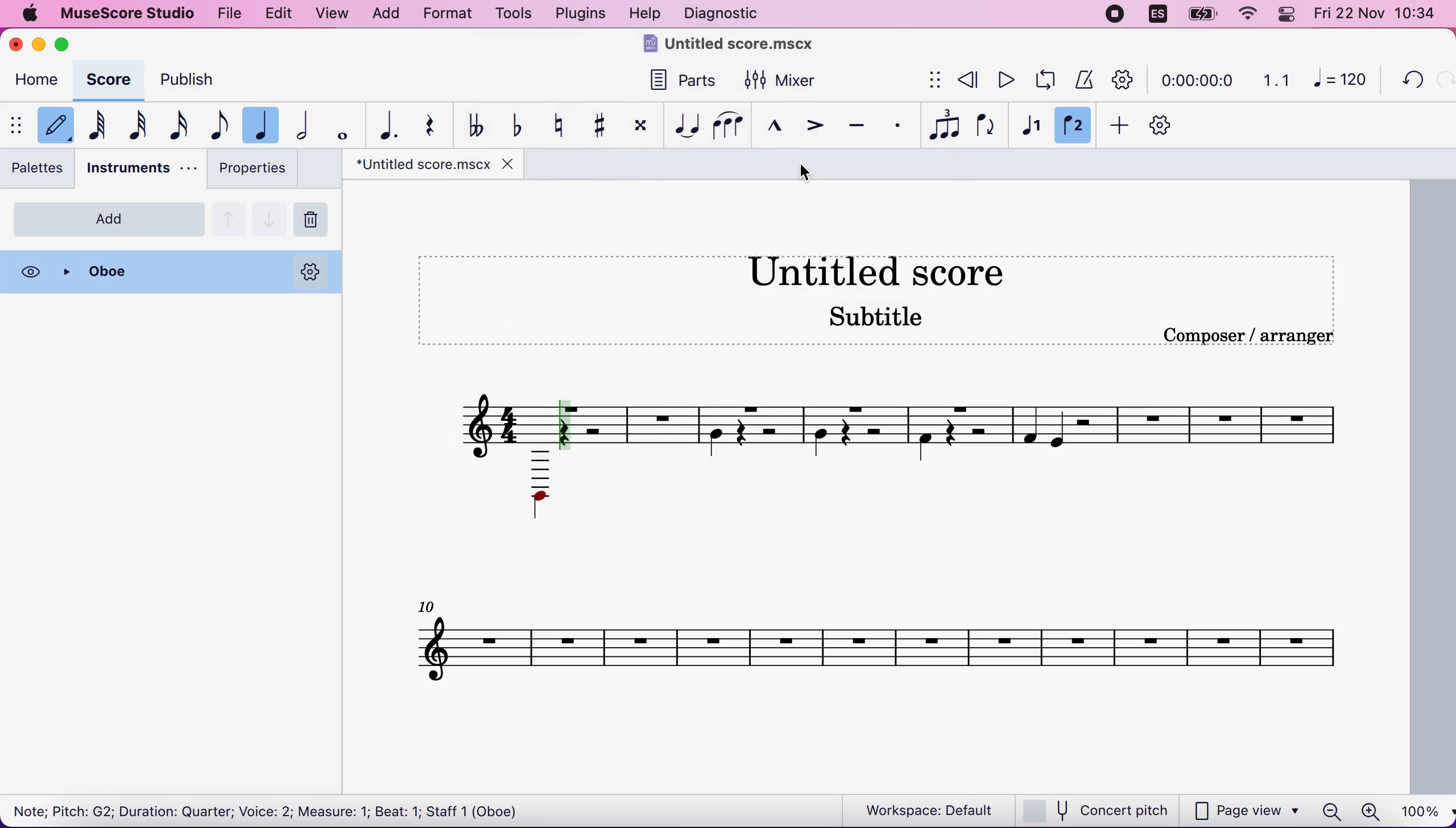 The width and height of the screenshot is (1456, 828). What do you see at coordinates (1199, 15) in the screenshot?
I see `battery` at bounding box center [1199, 15].